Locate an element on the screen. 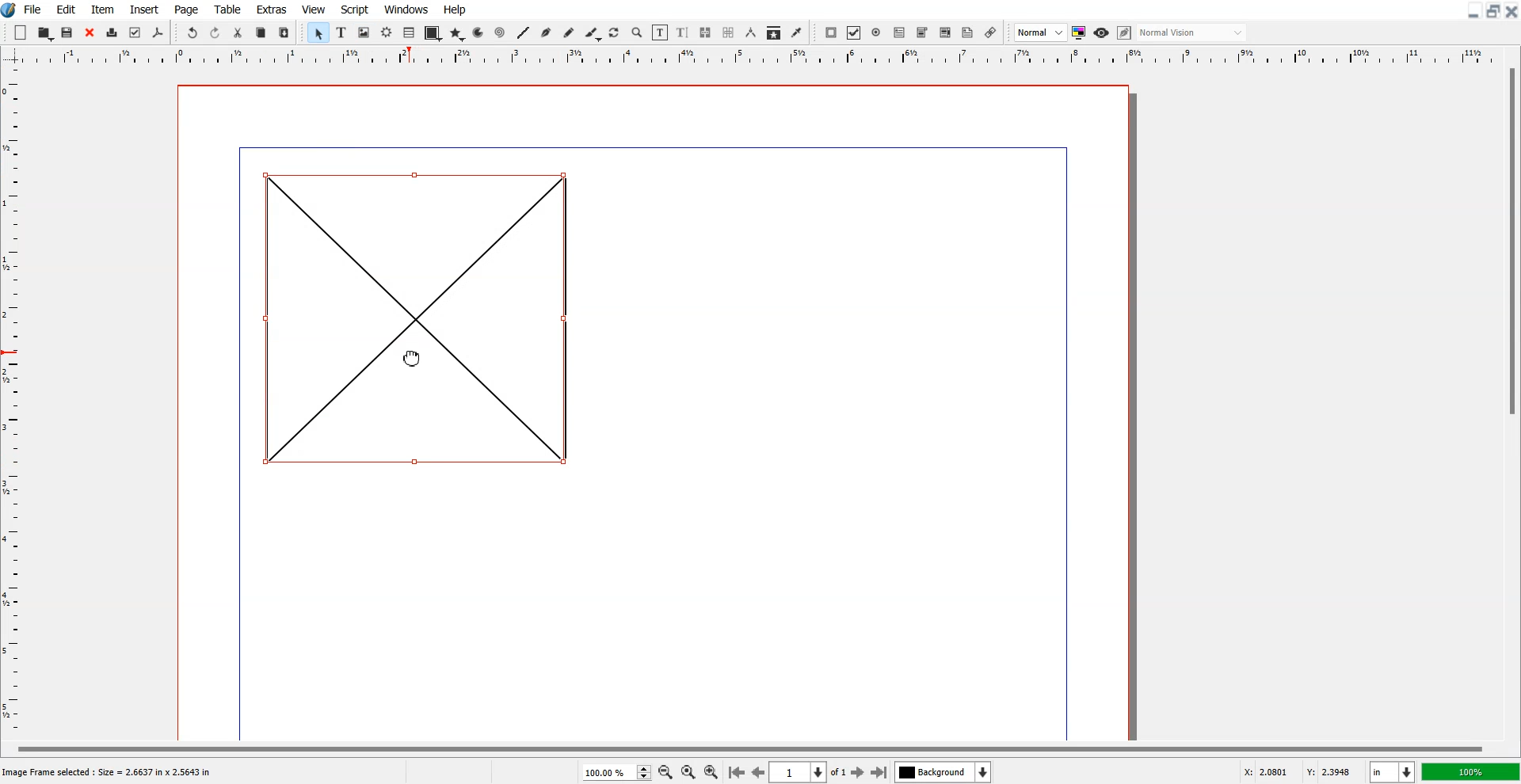 The image size is (1521, 784). PDF Radio Button is located at coordinates (876, 32).